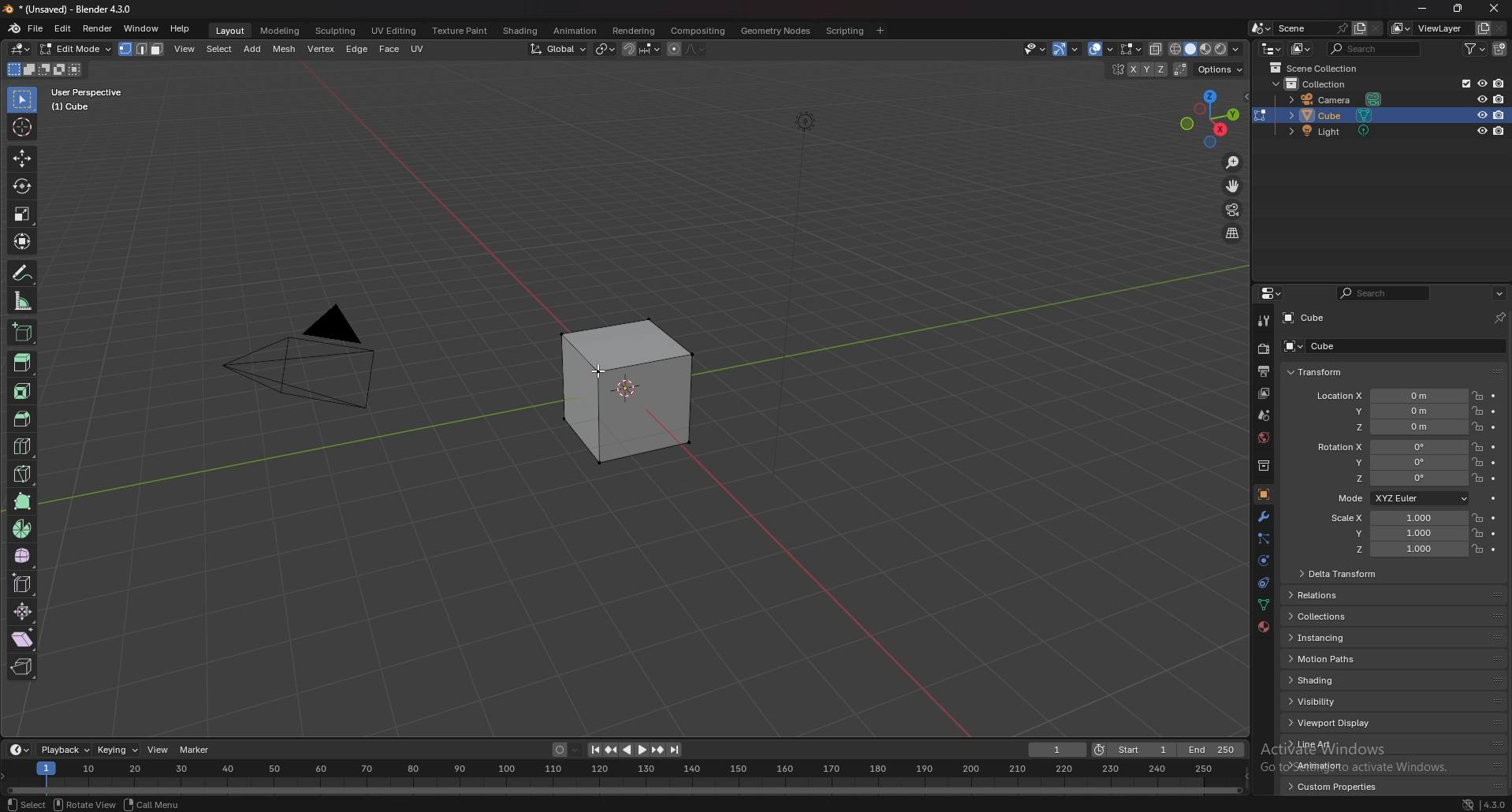 The image size is (1512, 812). I want to click on options, so click(1499, 293).